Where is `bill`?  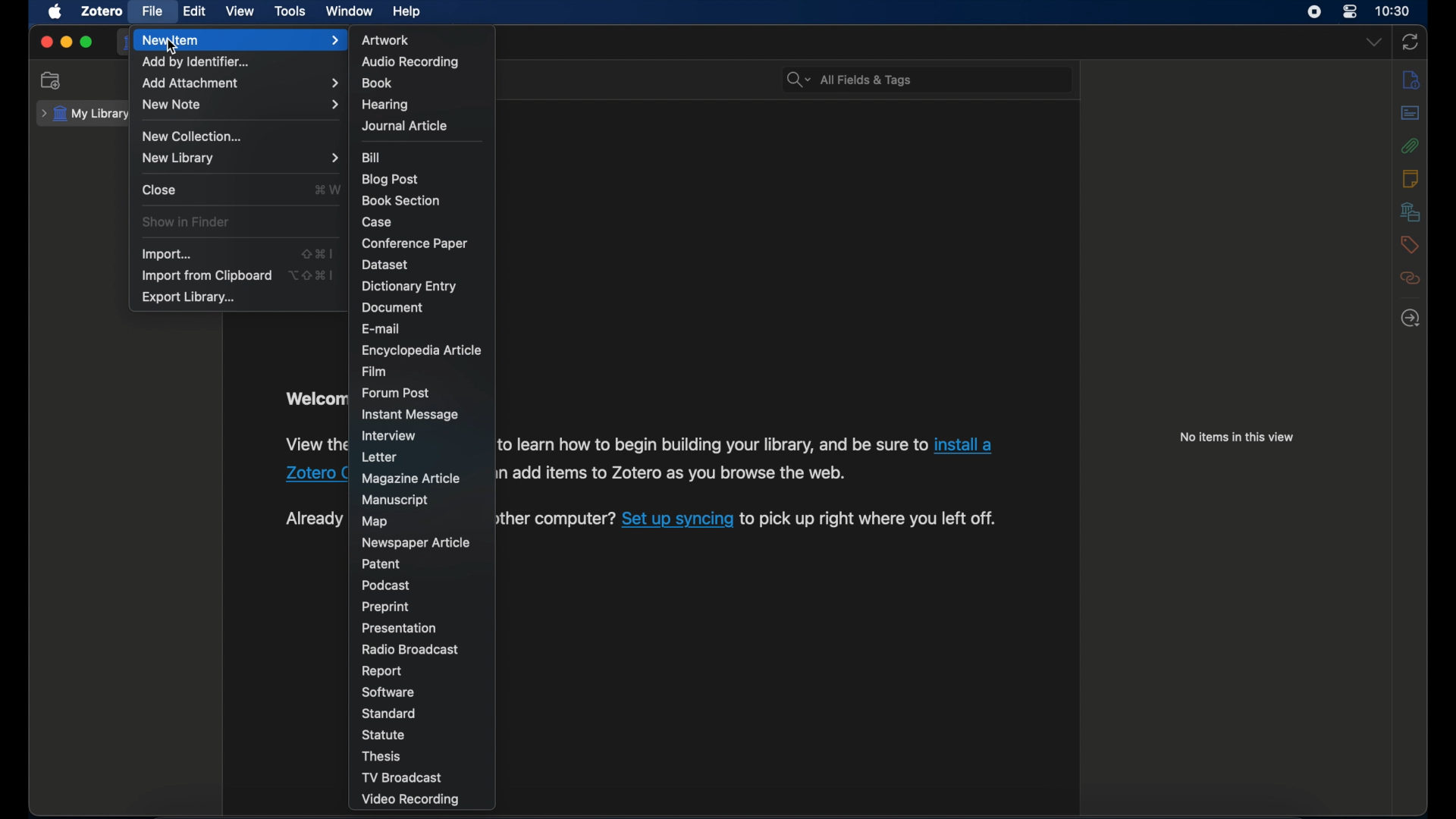
bill is located at coordinates (372, 157).